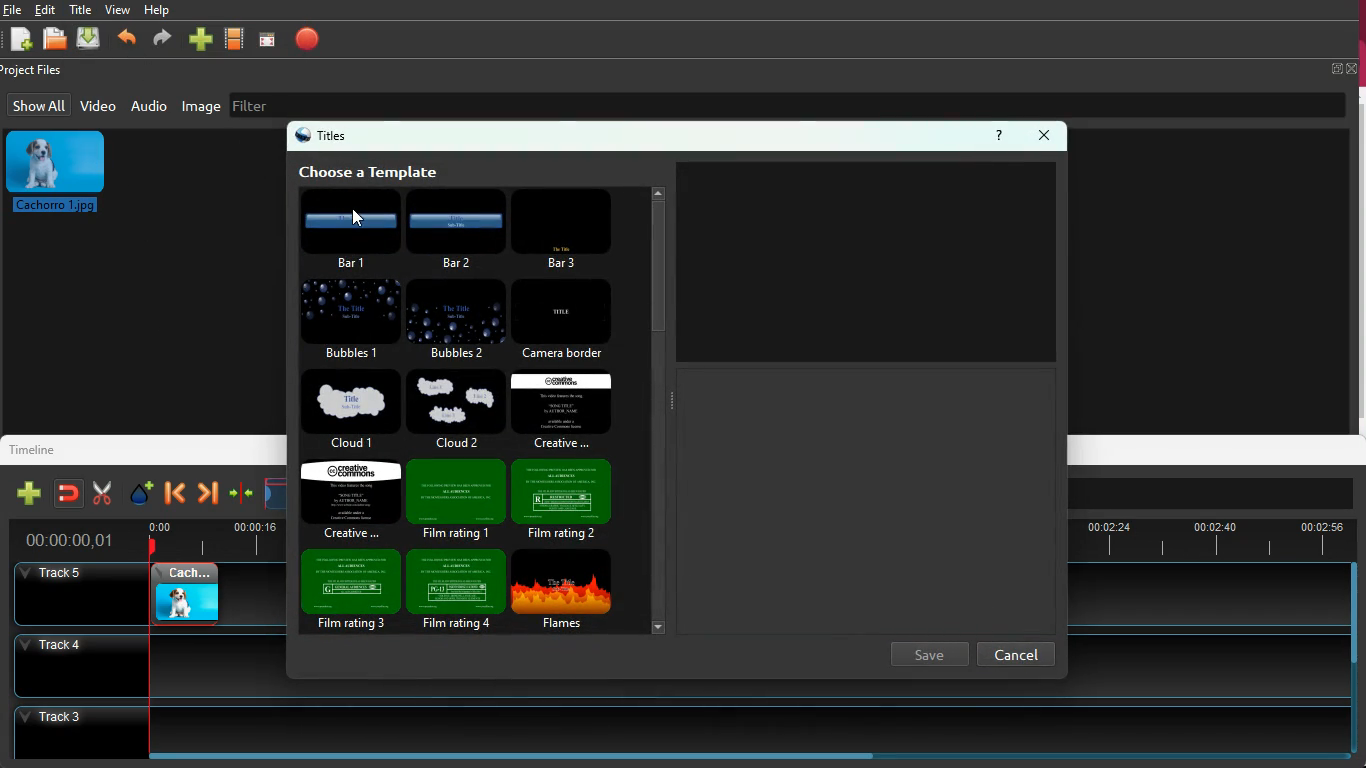 Image resolution: width=1366 pixels, height=768 pixels. Describe the element at coordinates (64, 172) in the screenshot. I see `image` at that location.